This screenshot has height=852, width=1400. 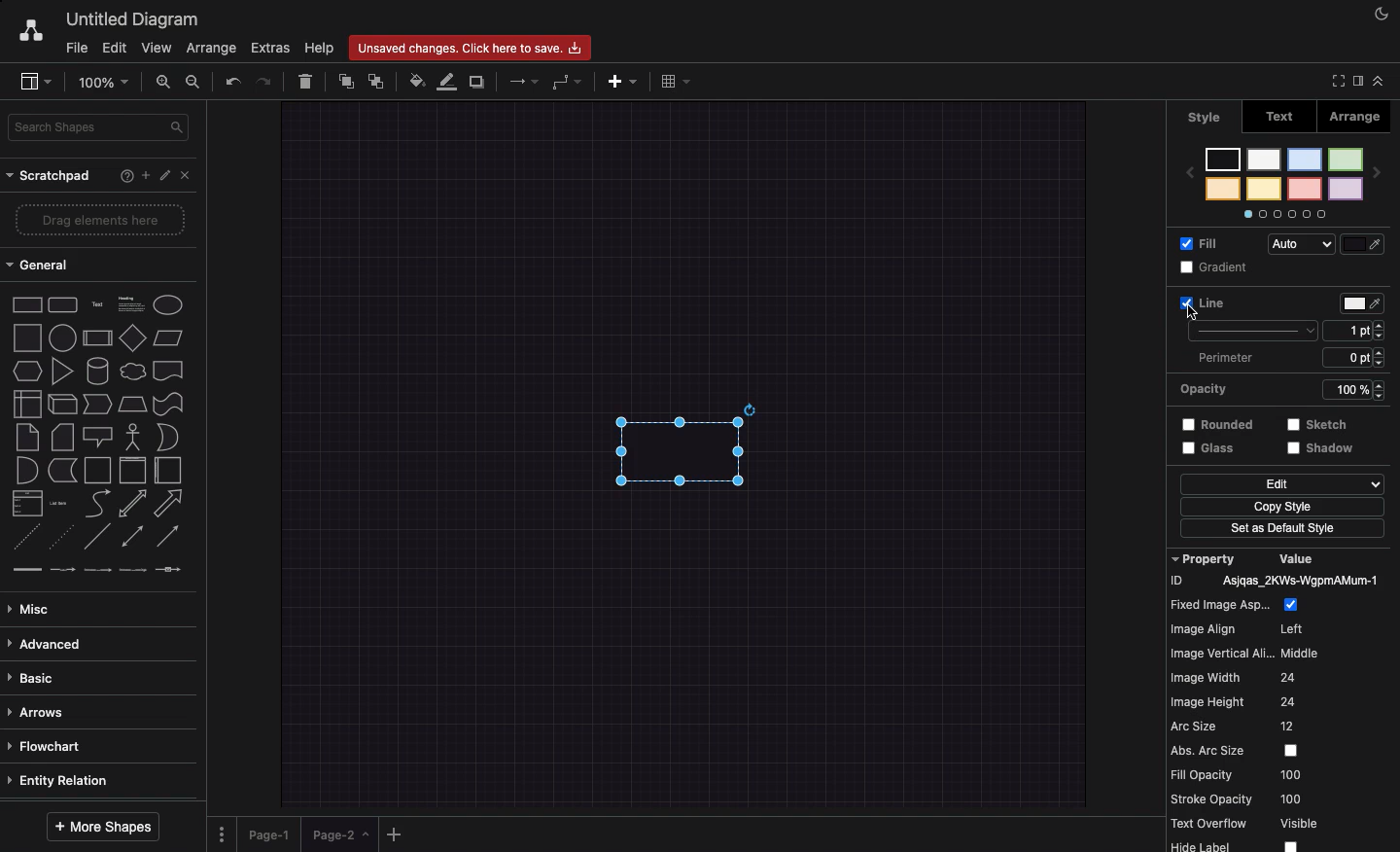 I want to click on parallelogram, so click(x=170, y=338).